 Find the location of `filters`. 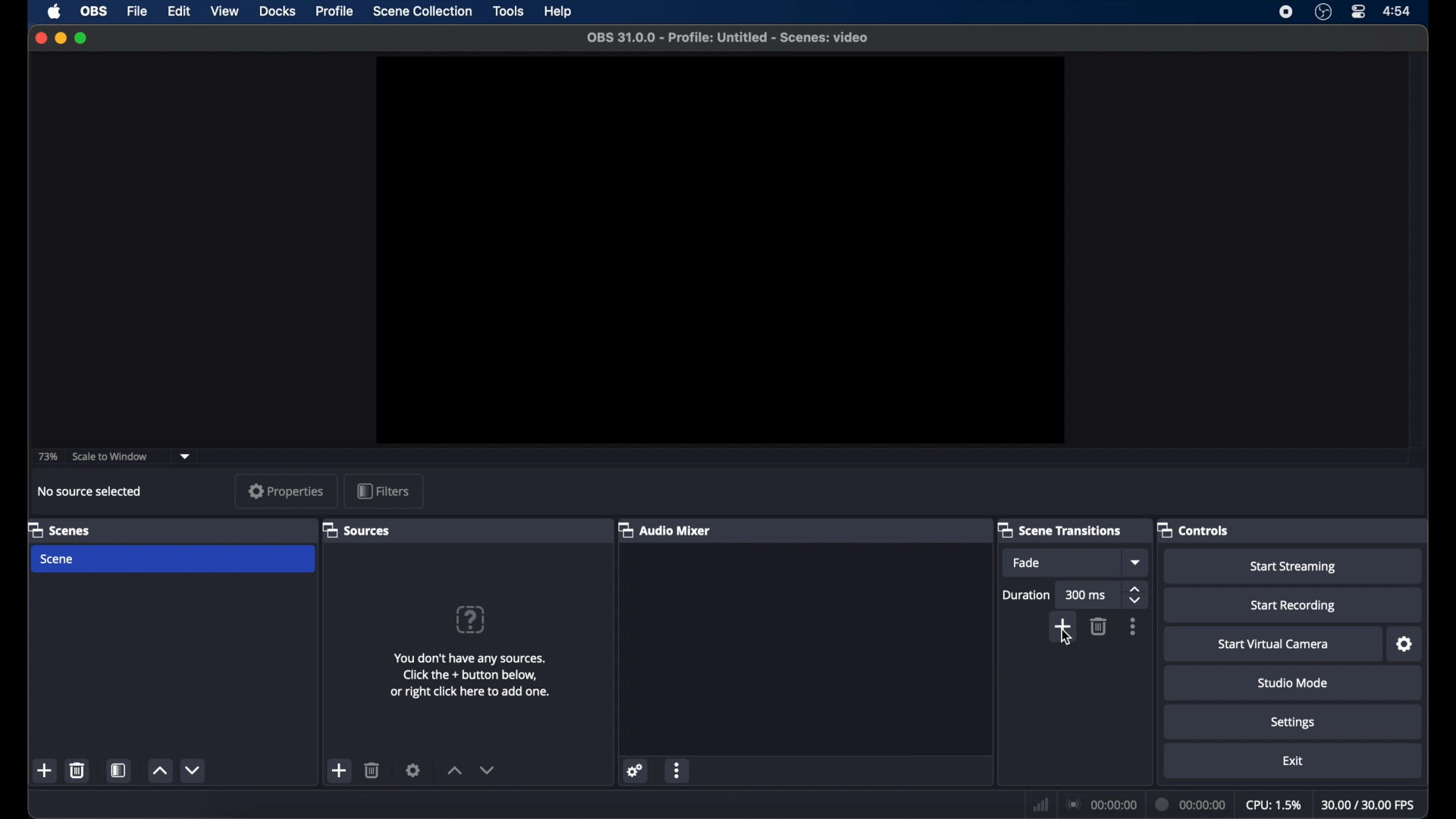

filters is located at coordinates (382, 491).